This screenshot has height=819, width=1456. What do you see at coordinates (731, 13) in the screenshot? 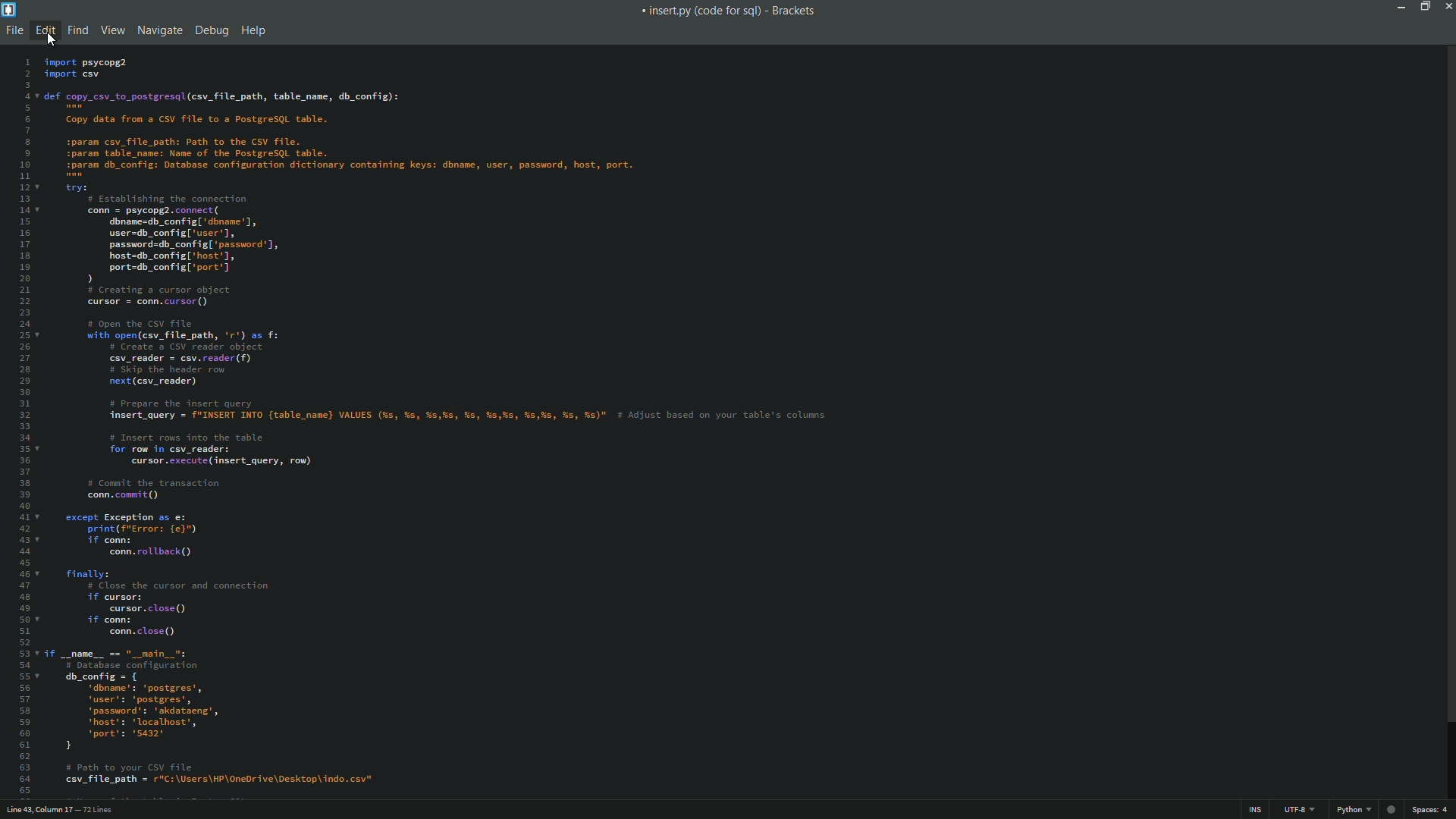
I see `« insert.py (code for sql) - Brackets` at bounding box center [731, 13].